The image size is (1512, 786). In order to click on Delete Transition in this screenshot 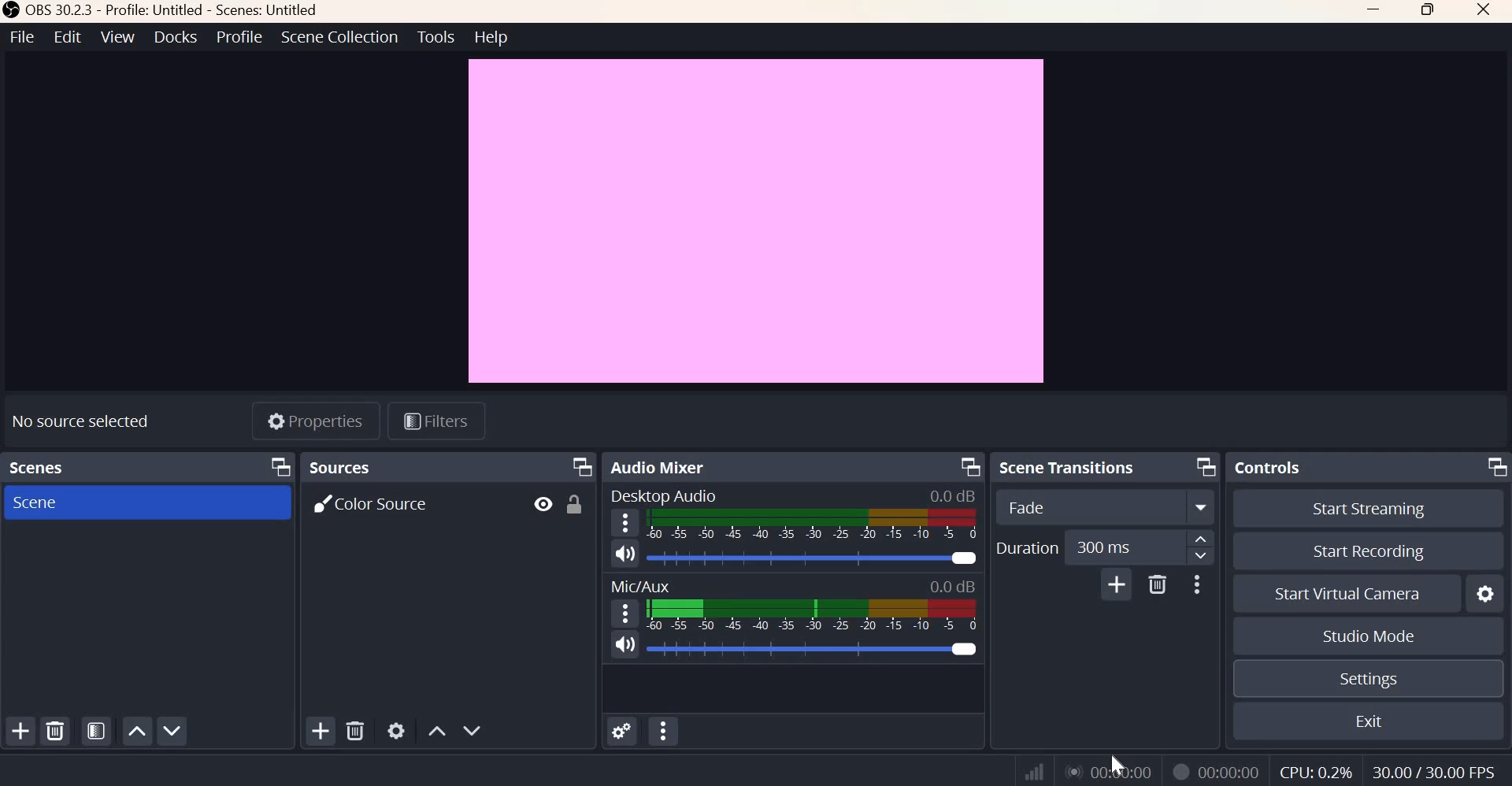, I will do `click(1158, 585)`.